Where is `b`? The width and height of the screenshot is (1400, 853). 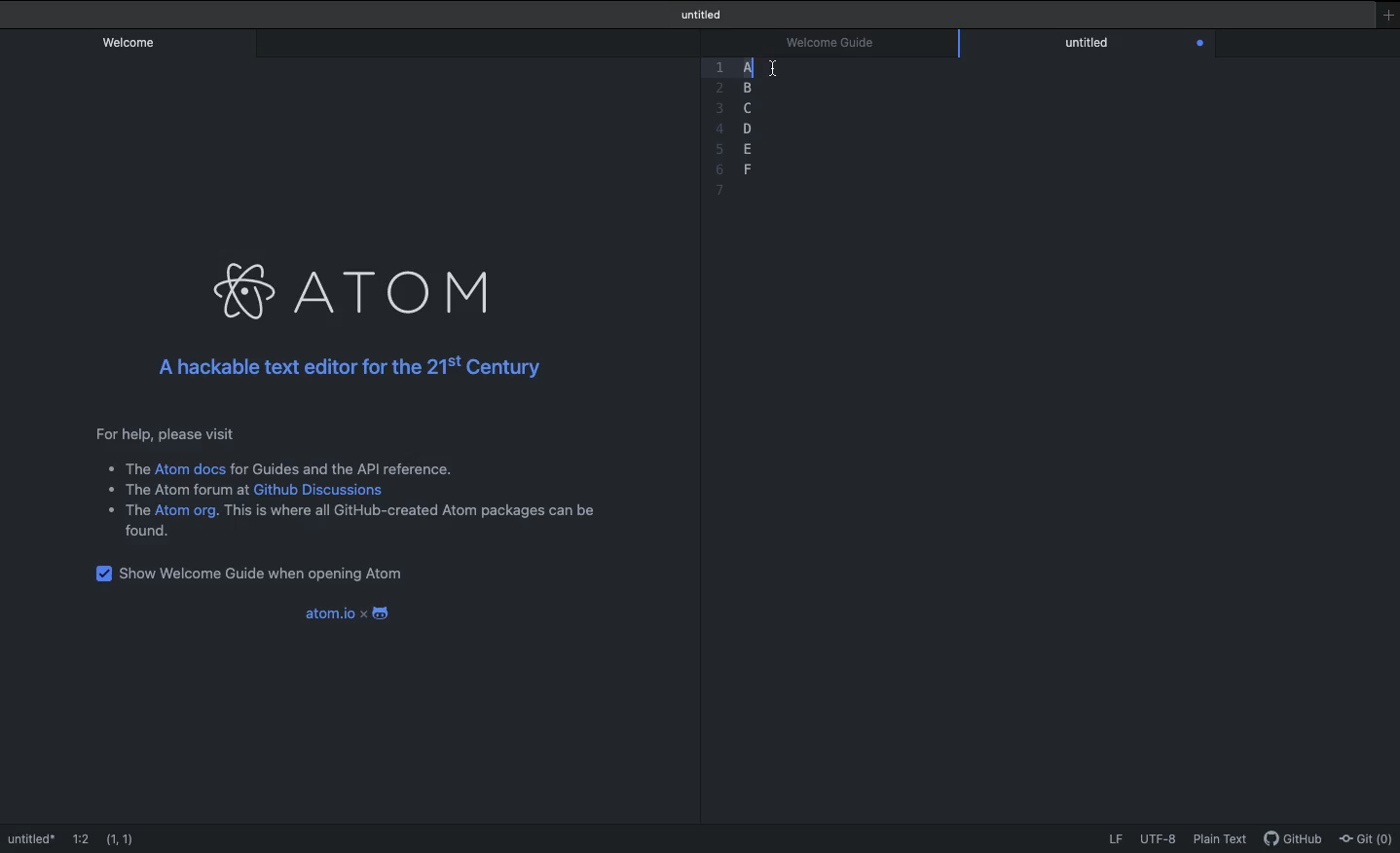 b is located at coordinates (748, 86).